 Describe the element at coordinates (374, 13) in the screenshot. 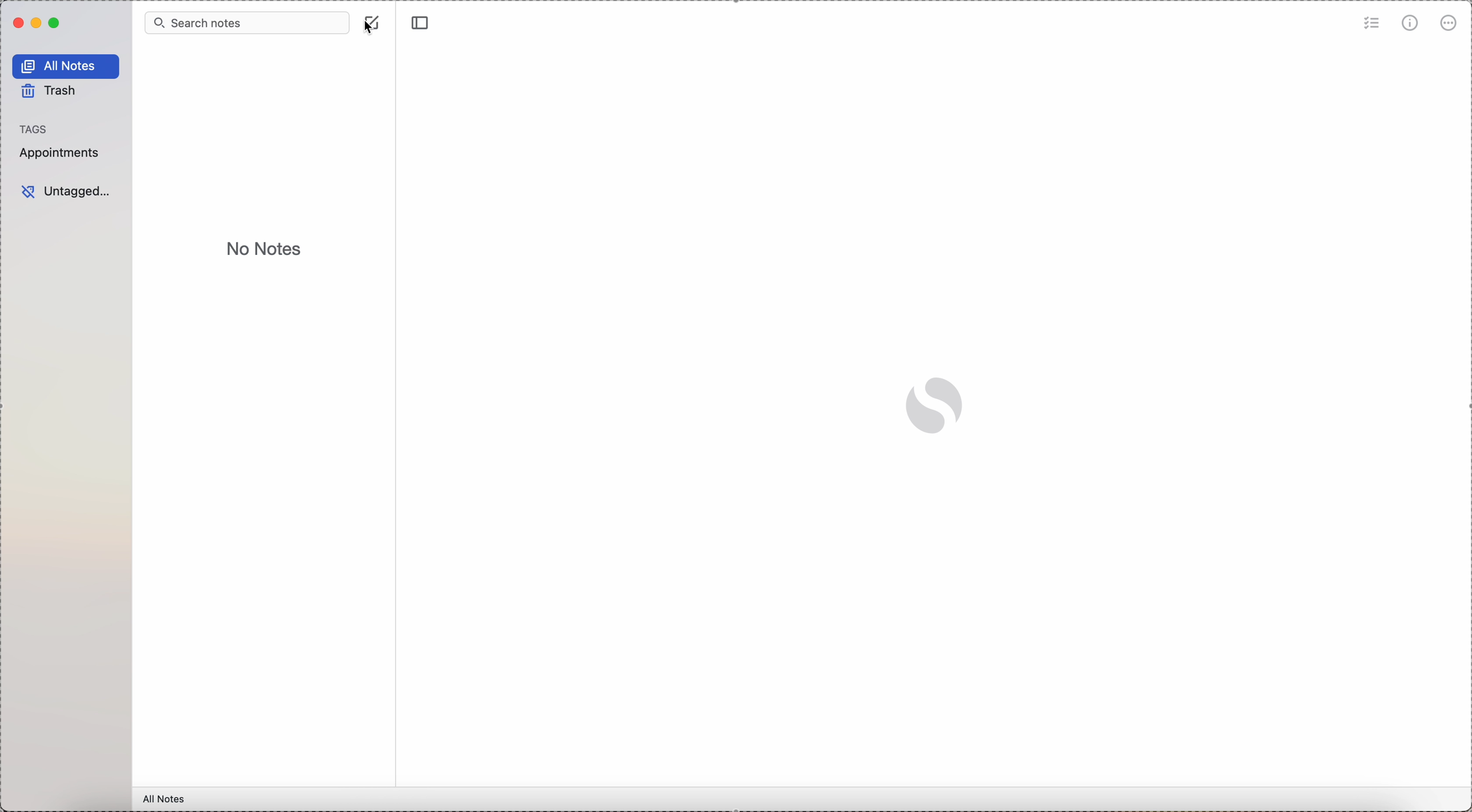

I see `create note` at that location.